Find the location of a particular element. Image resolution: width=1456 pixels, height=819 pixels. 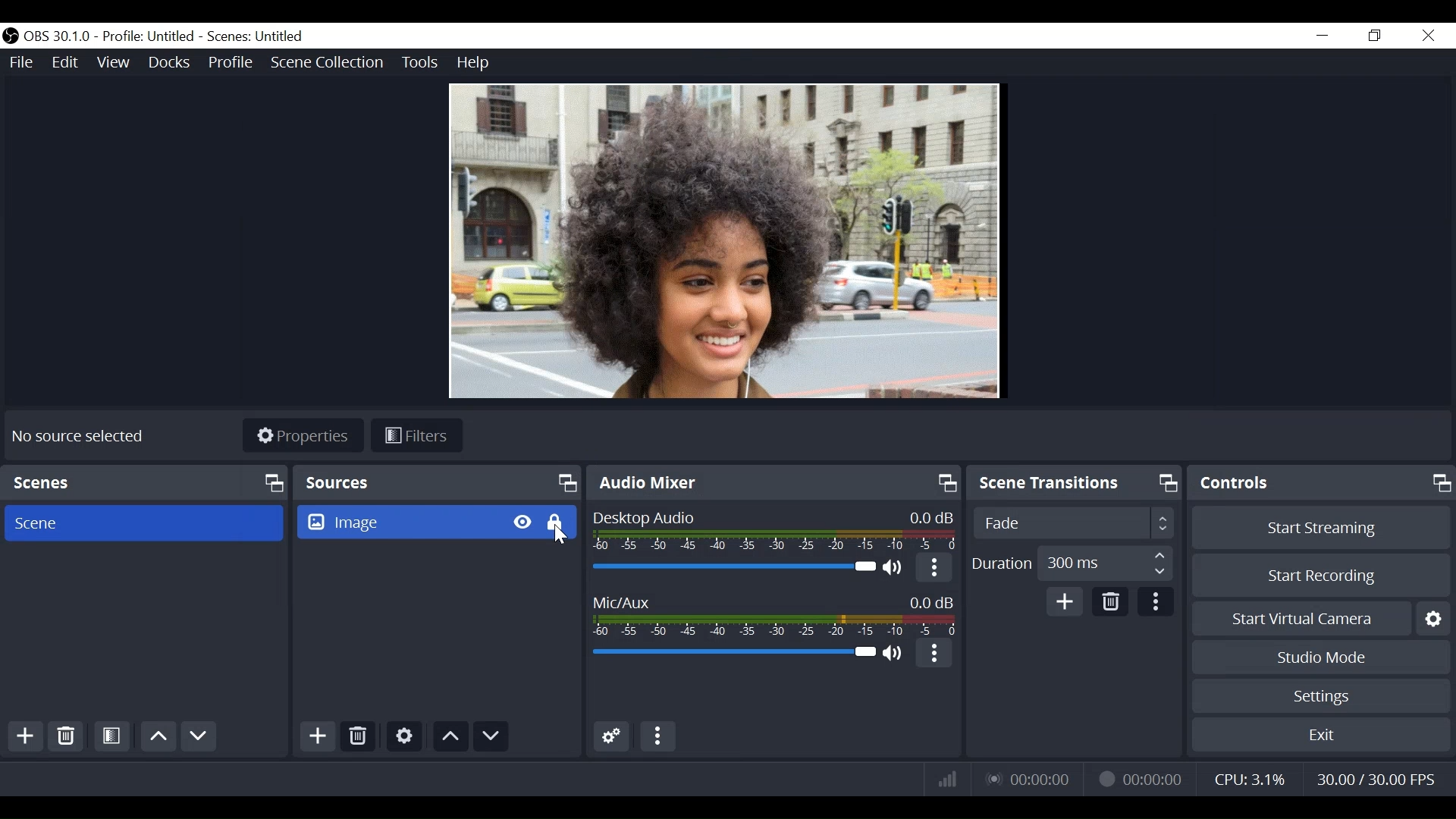

(un)mute is located at coordinates (896, 570).